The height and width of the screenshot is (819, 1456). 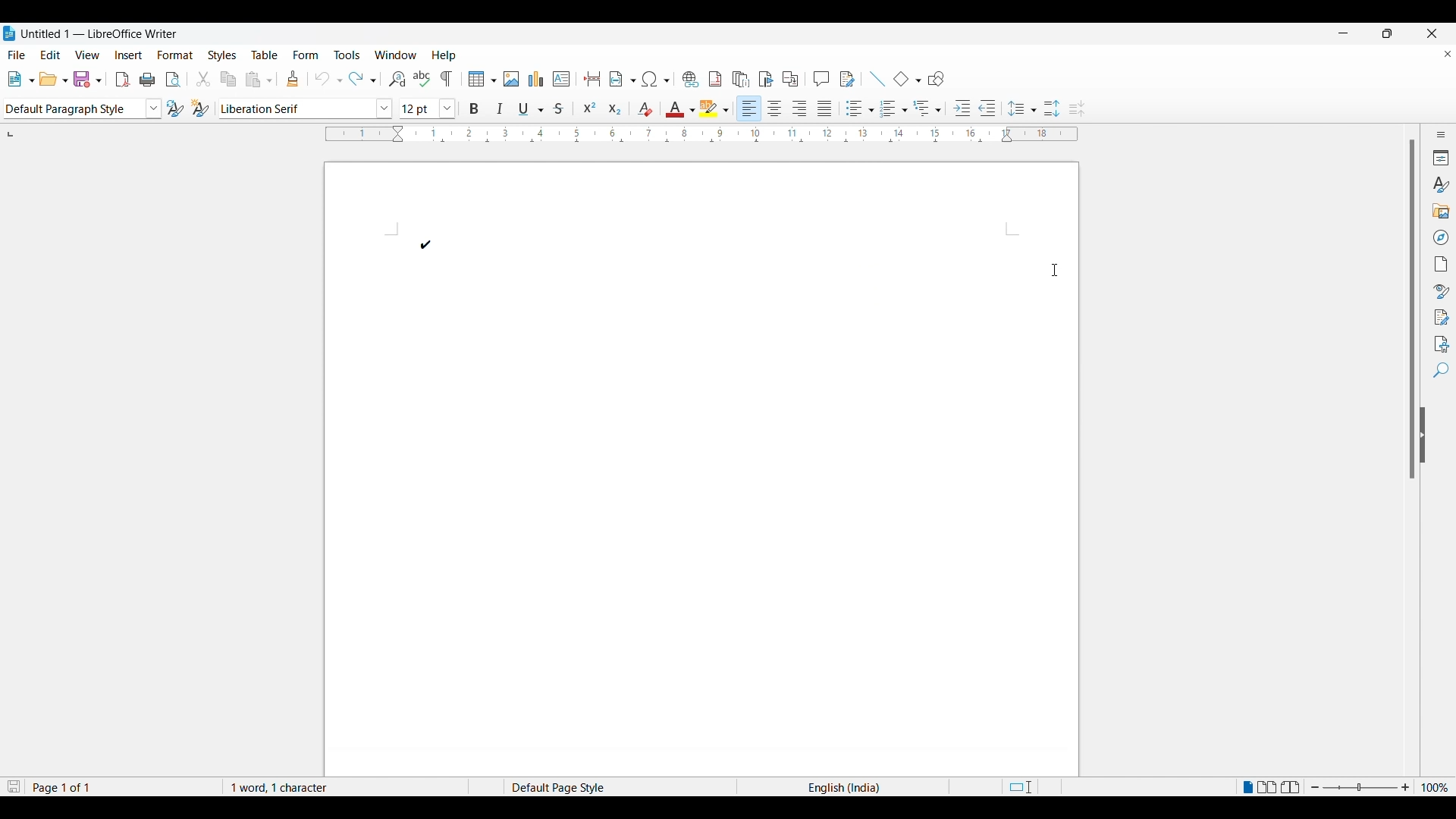 What do you see at coordinates (793, 79) in the screenshot?
I see `insert cross references` at bounding box center [793, 79].